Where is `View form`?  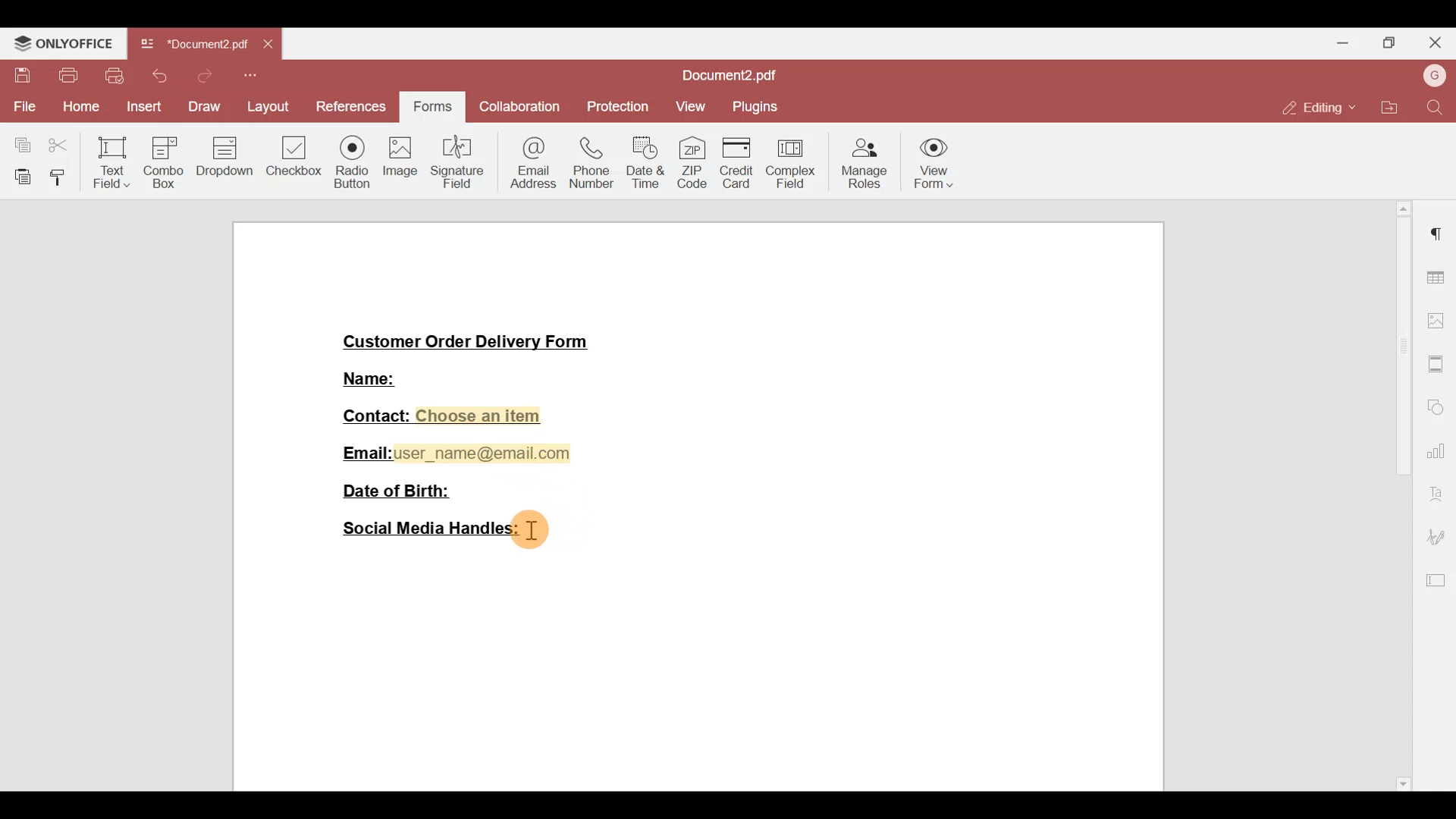
View form is located at coordinates (941, 161).